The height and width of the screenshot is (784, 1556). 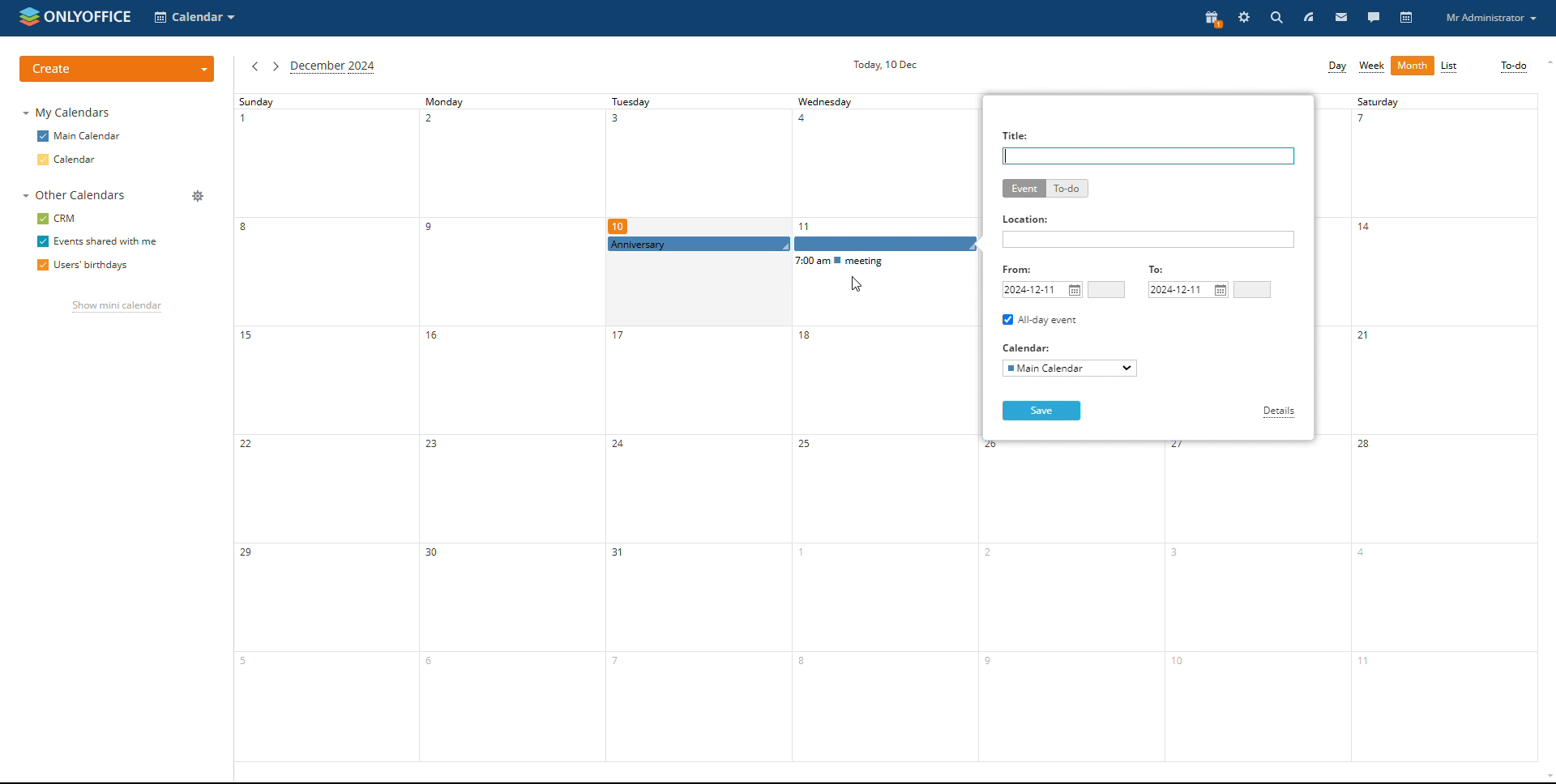 I want to click on current month, so click(x=333, y=67).